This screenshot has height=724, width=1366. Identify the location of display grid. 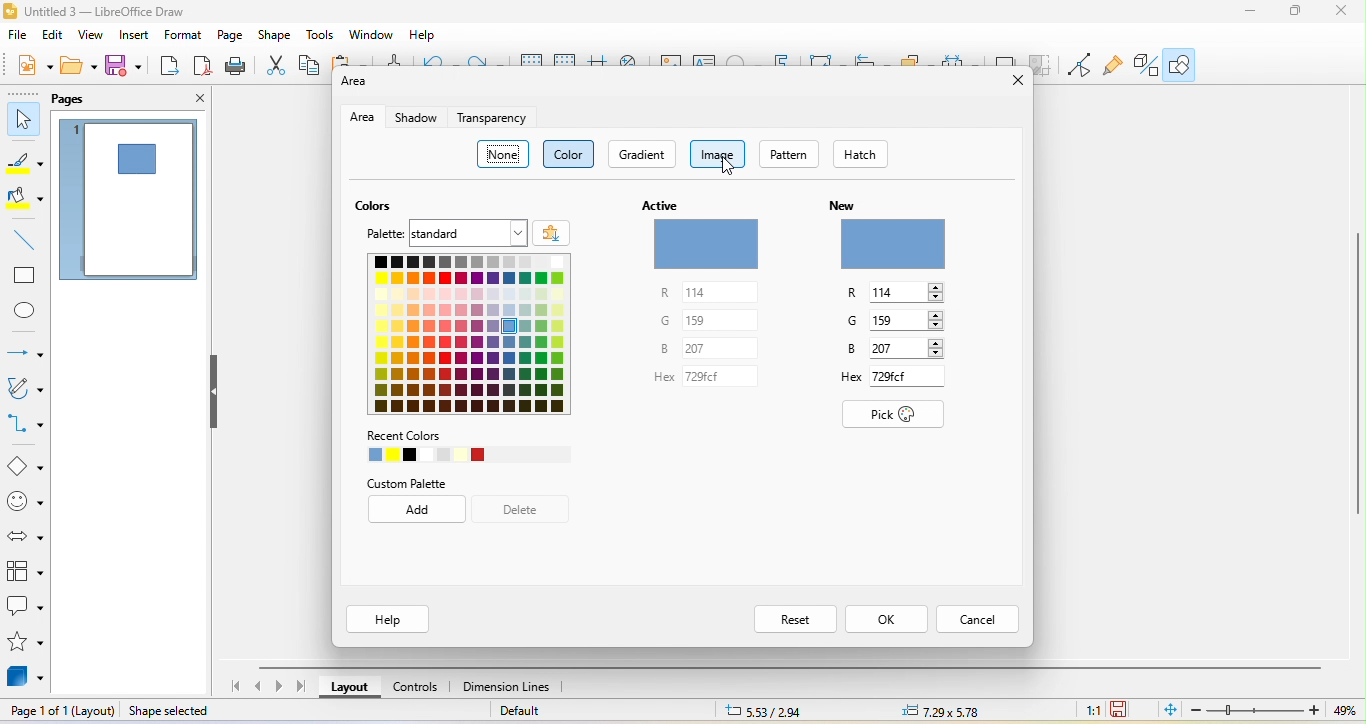
(528, 58).